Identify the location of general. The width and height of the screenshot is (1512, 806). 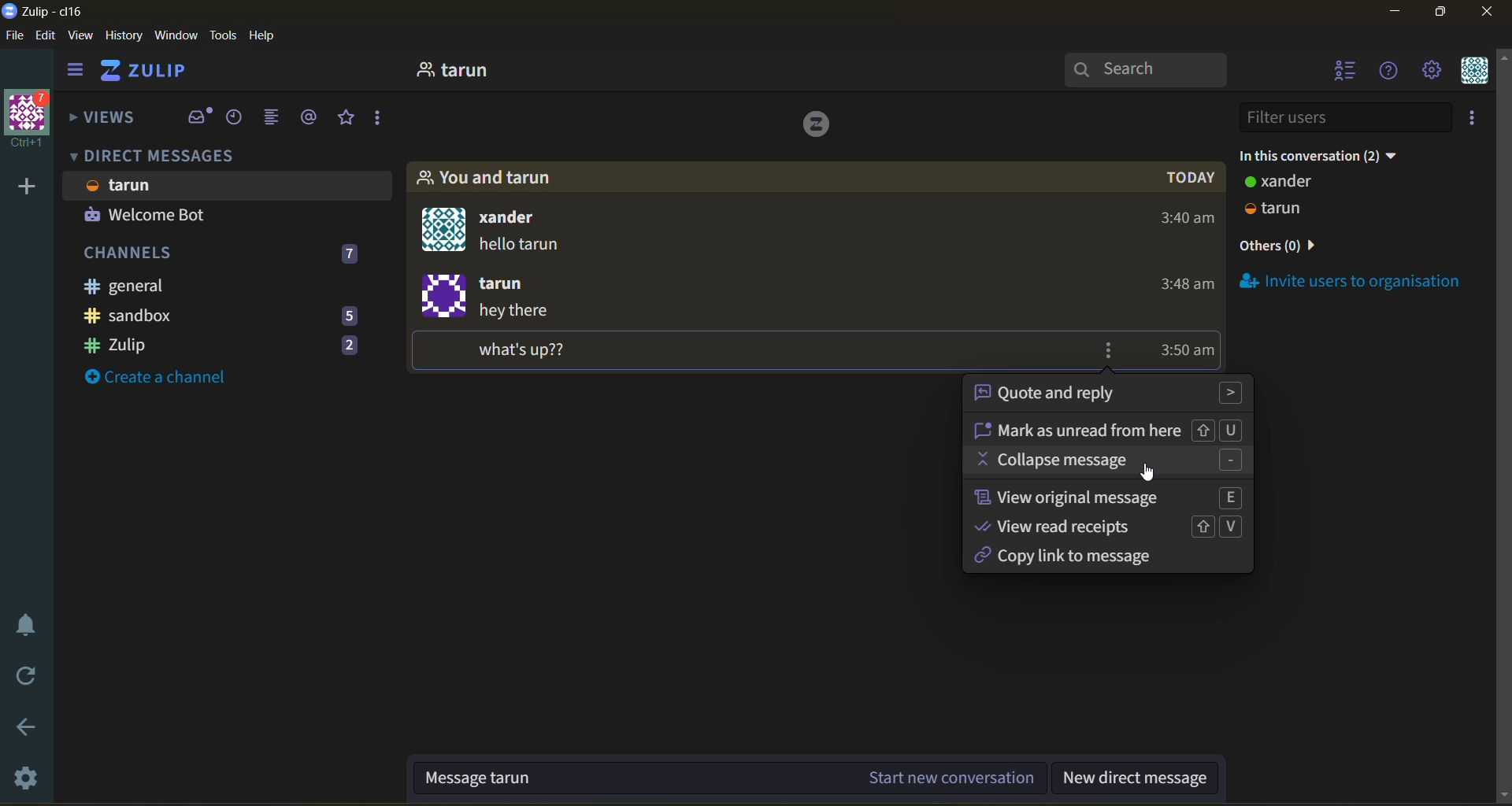
(206, 287).